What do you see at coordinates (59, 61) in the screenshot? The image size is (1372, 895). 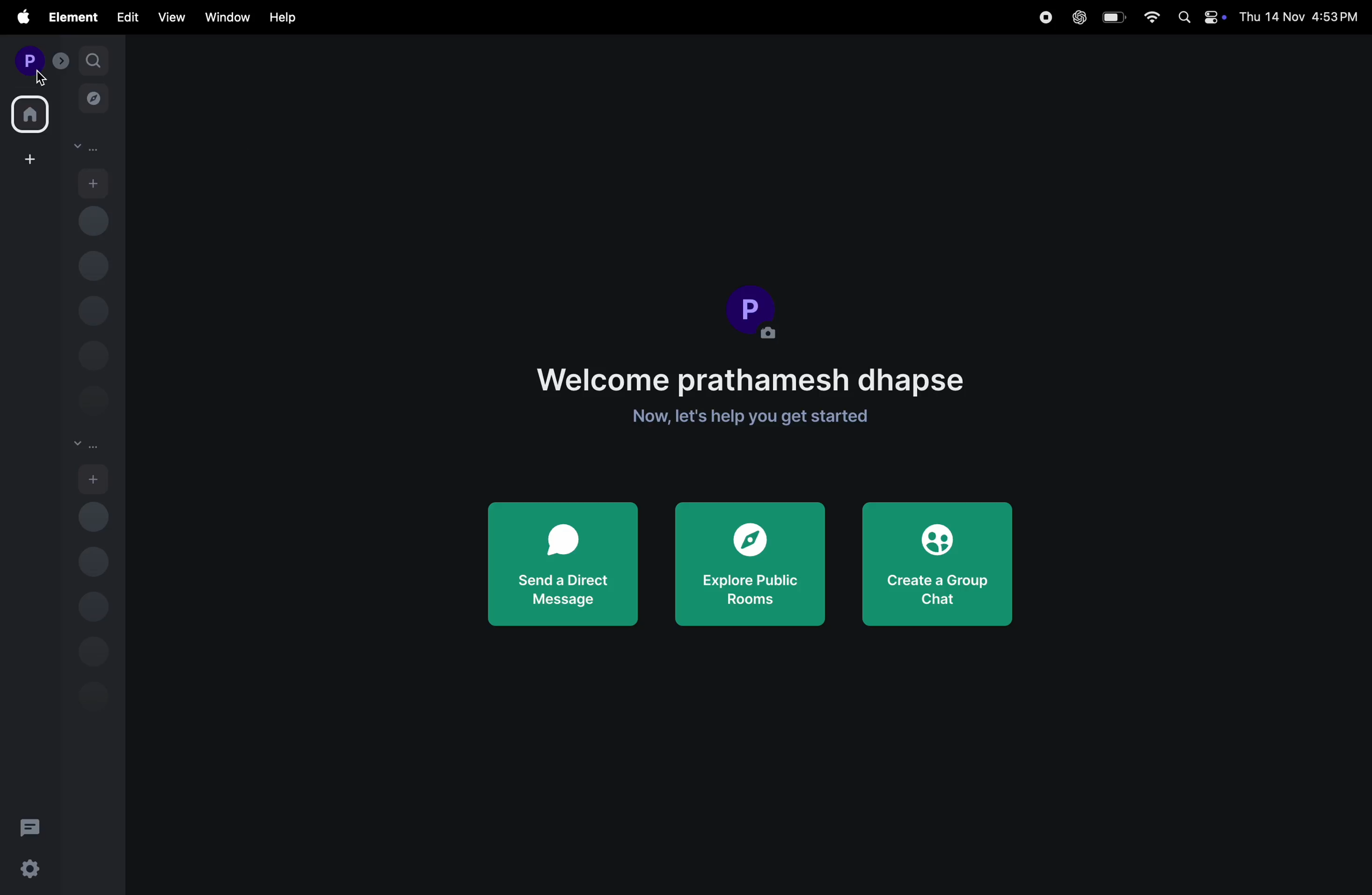 I see `create a space` at bounding box center [59, 61].